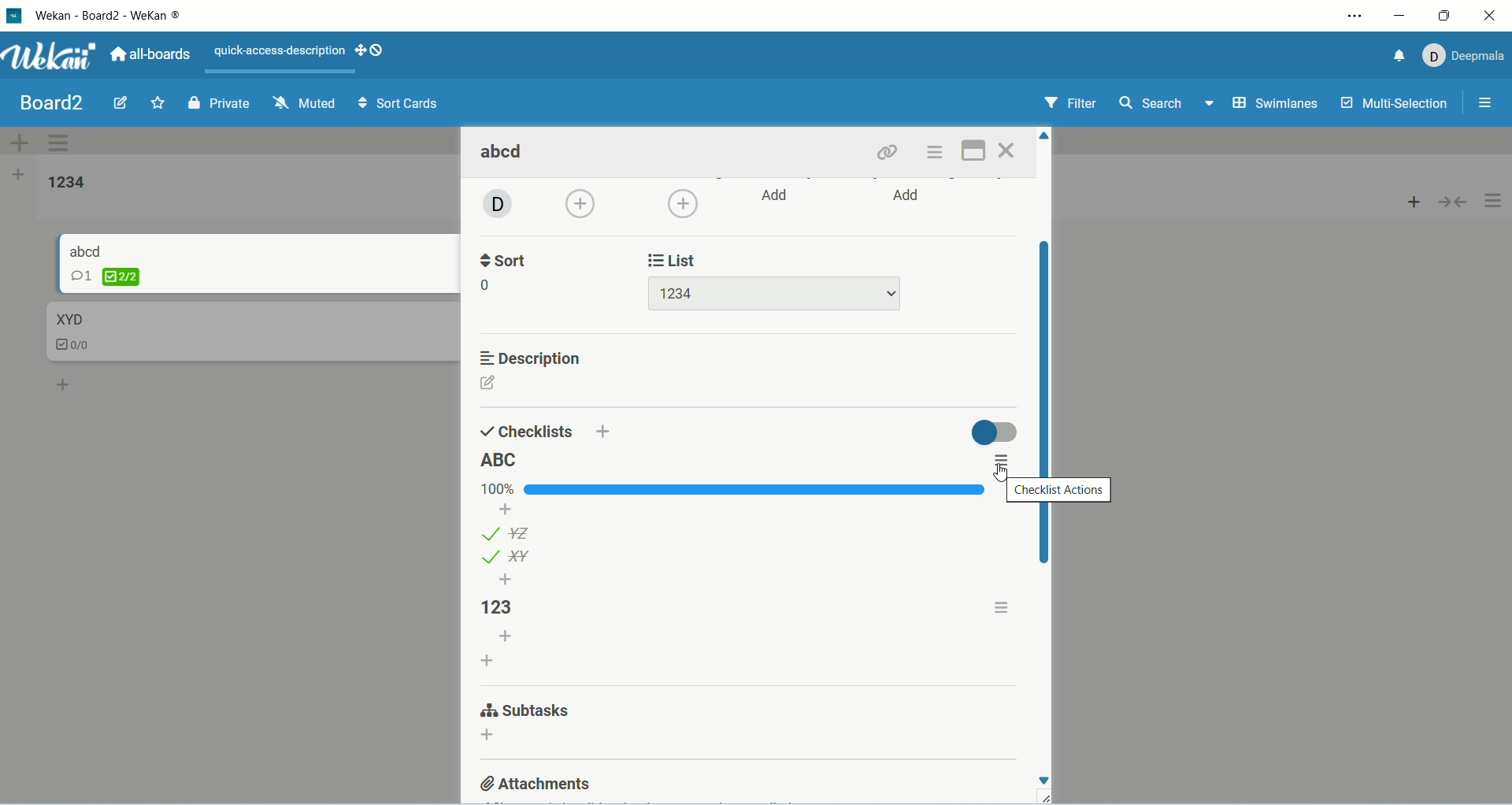 The width and height of the screenshot is (1512, 805). What do you see at coordinates (495, 206) in the screenshot?
I see `avatar` at bounding box center [495, 206].